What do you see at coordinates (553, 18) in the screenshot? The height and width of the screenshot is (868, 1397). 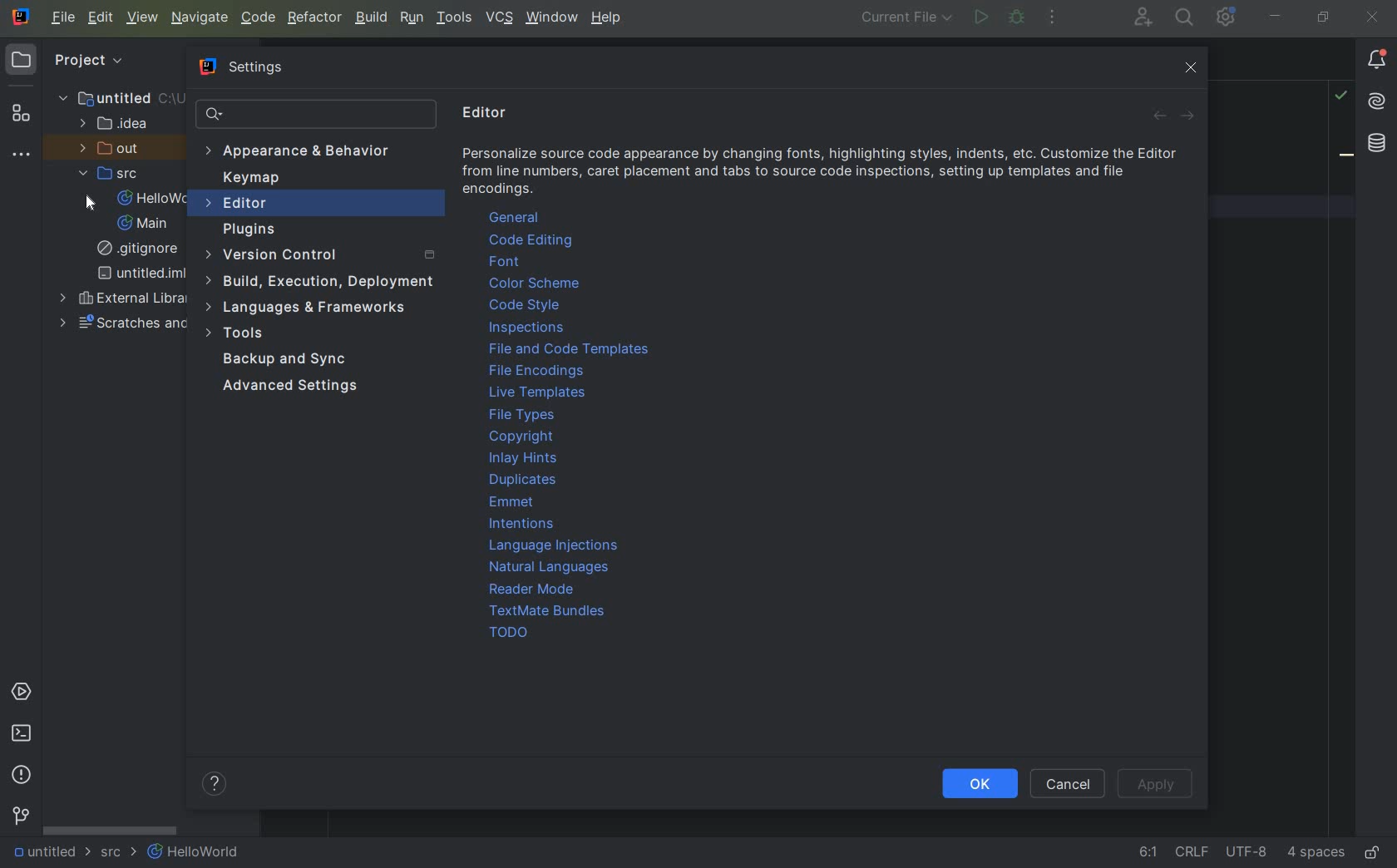 I see `window` at bounding box center [553, 18].